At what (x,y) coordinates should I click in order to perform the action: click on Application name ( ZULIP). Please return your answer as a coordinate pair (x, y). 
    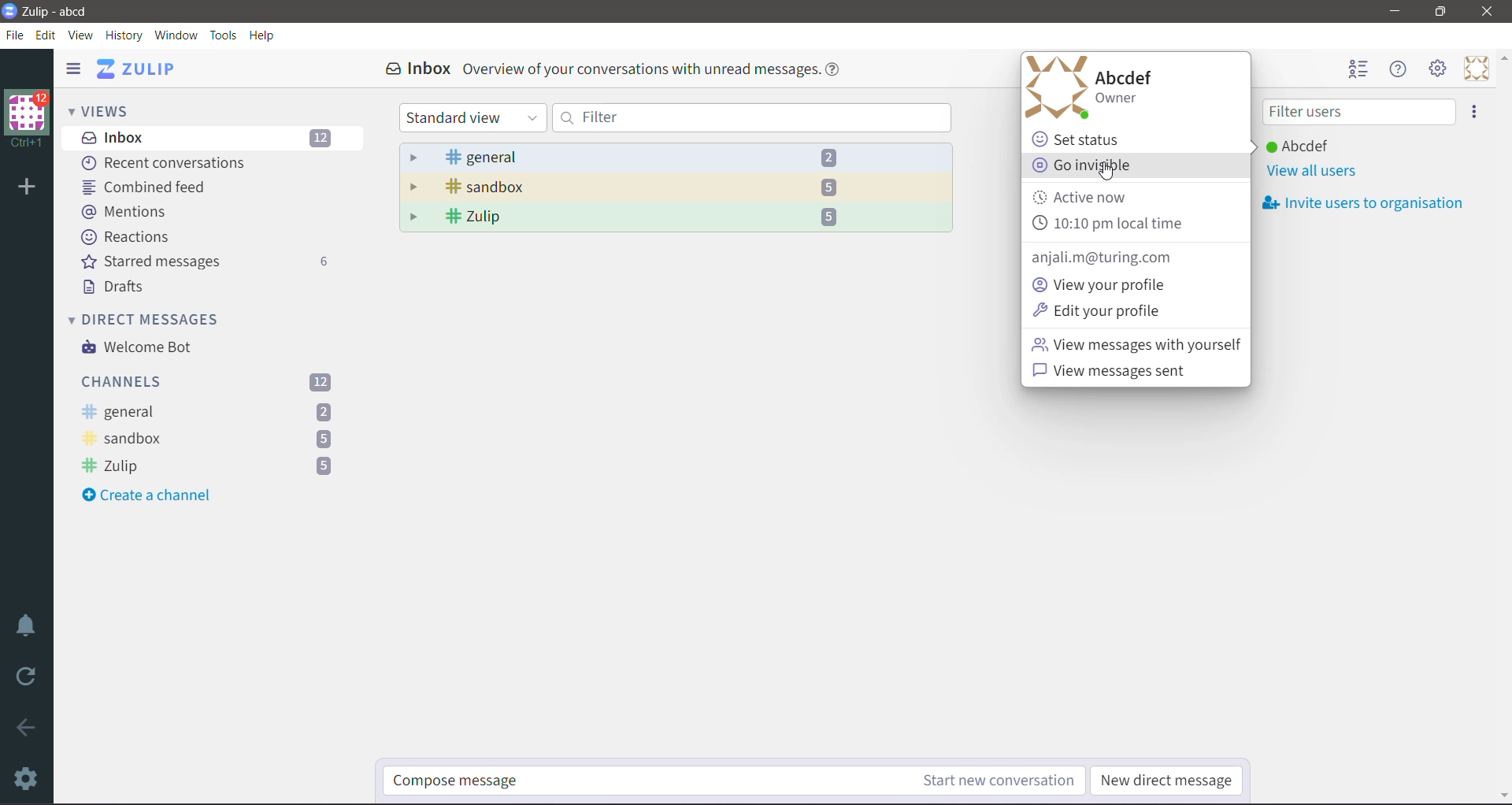
    Looking at the image, I should click on (143, 69).